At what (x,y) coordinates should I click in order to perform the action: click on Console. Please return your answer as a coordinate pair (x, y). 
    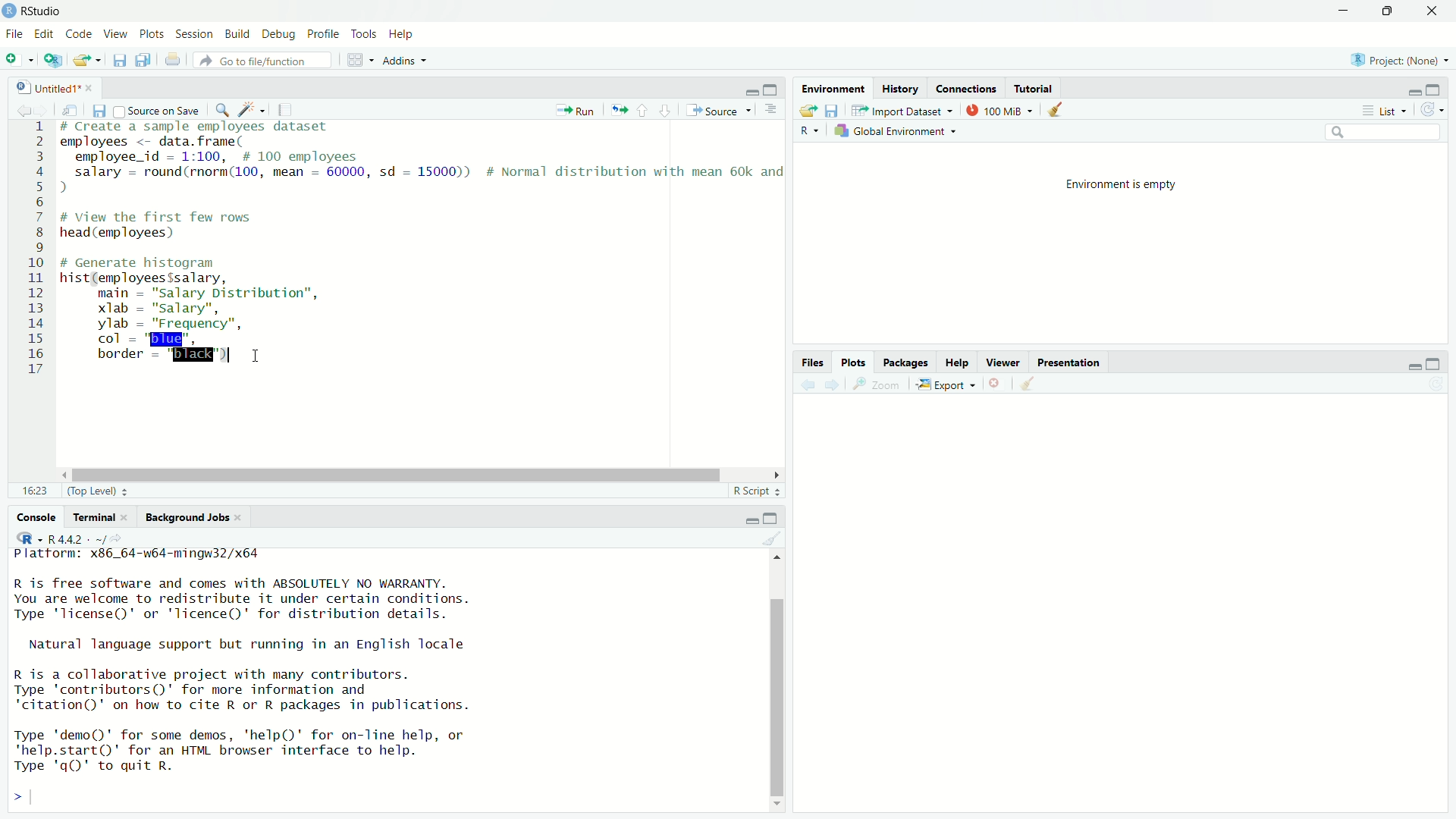
    Looking at the image, I should click on (38, 517).